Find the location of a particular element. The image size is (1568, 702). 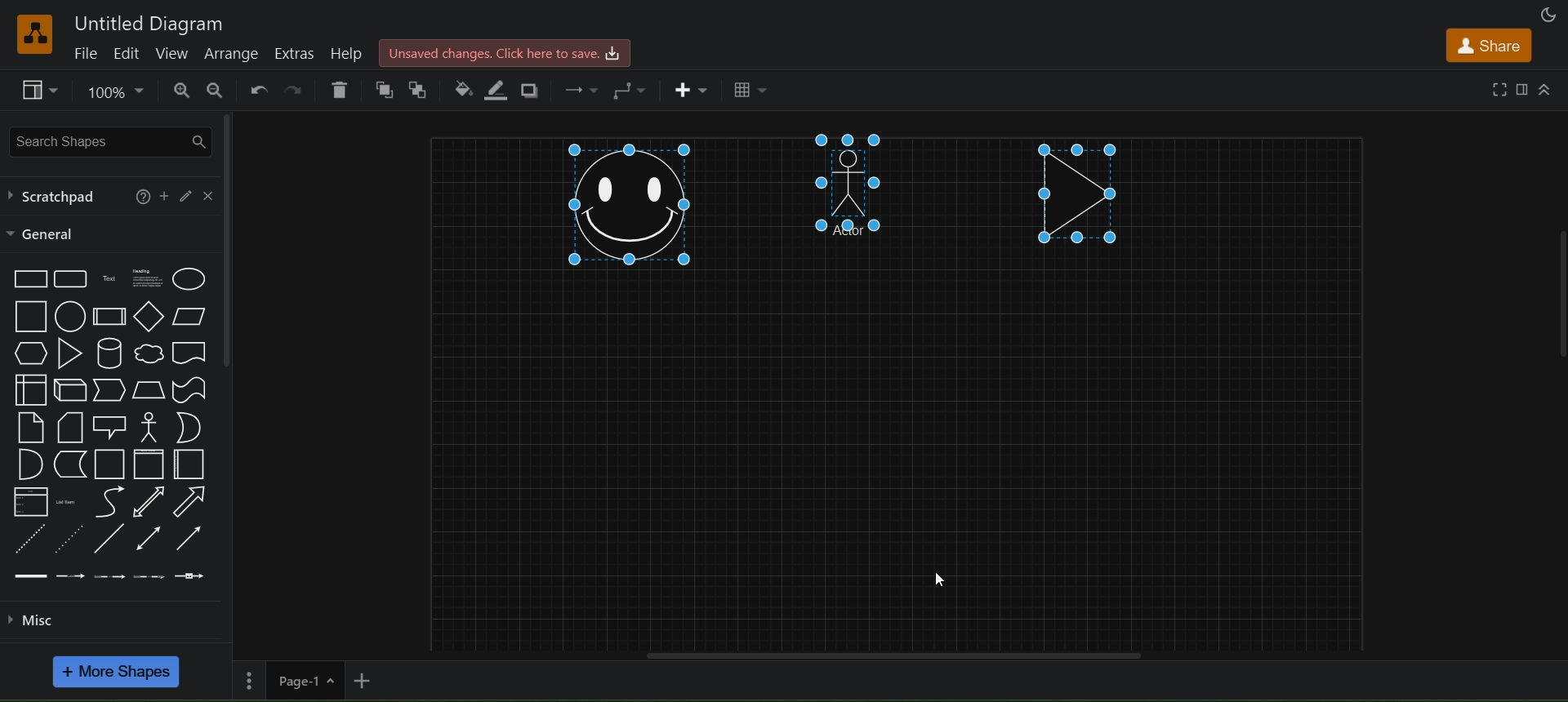

directional connector is located at coordinates (193, 539).